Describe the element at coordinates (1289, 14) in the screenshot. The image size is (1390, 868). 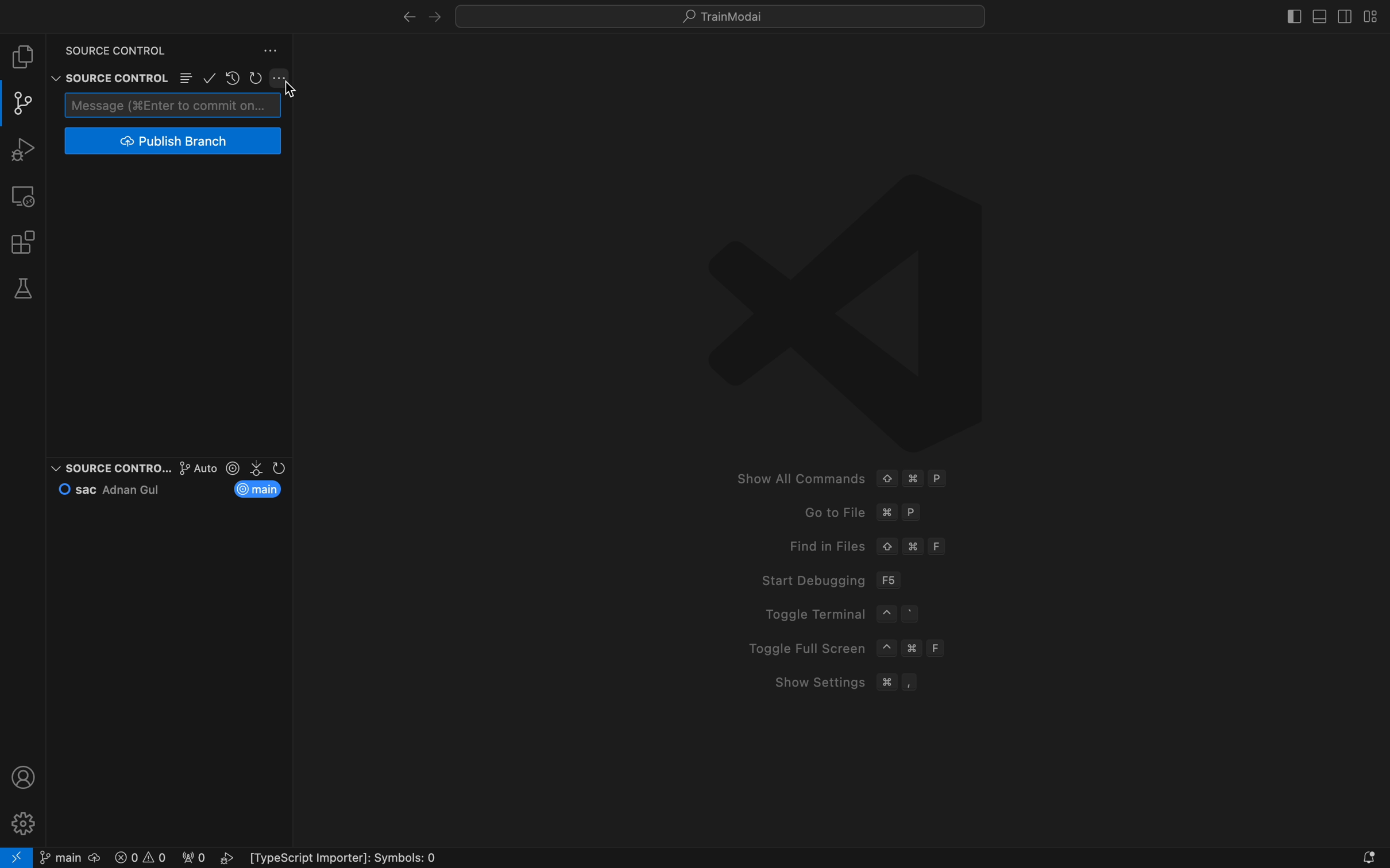
I see `toggle bar` at that location.